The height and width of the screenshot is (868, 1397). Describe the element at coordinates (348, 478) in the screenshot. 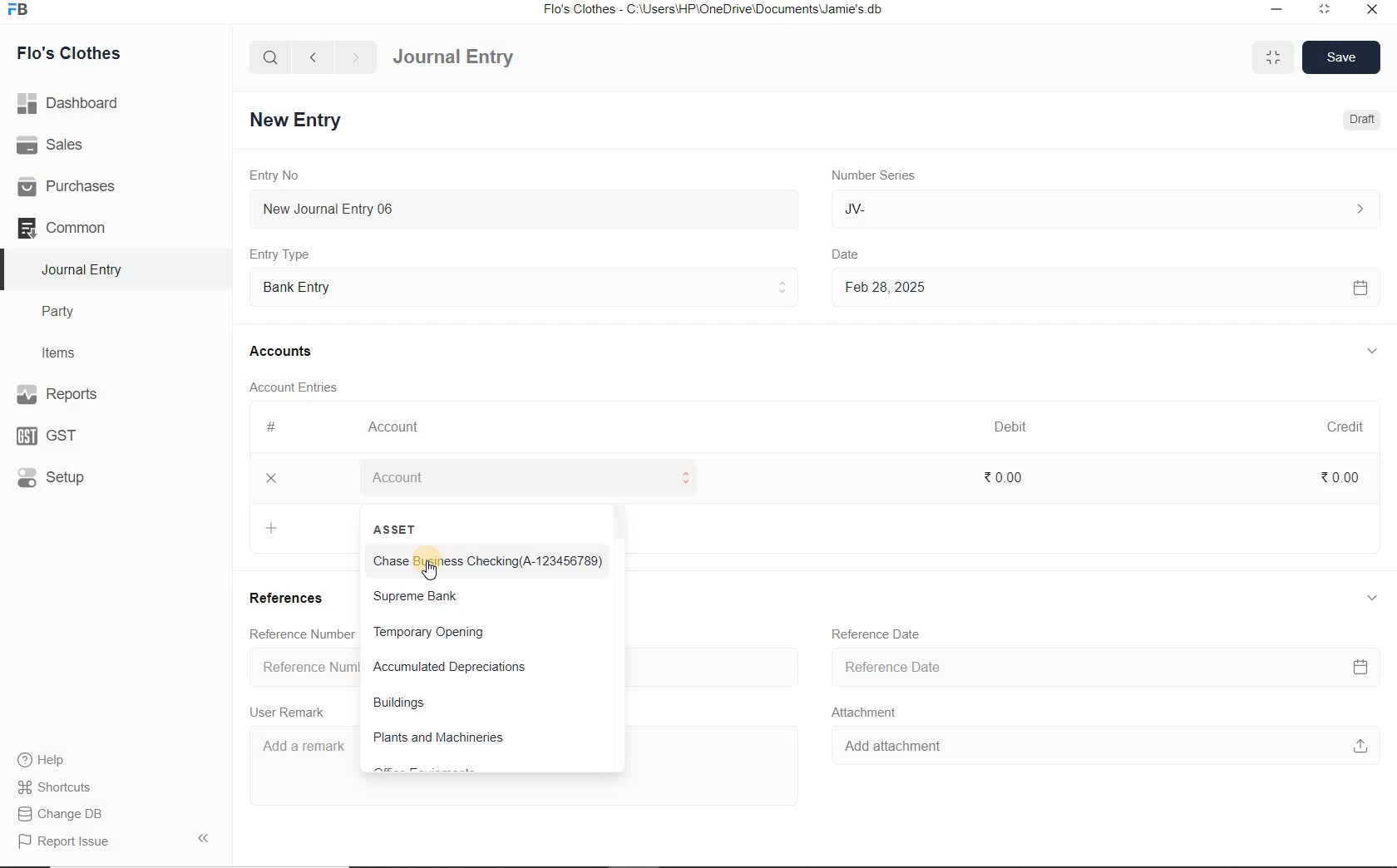

I see `Add Row` at that location.